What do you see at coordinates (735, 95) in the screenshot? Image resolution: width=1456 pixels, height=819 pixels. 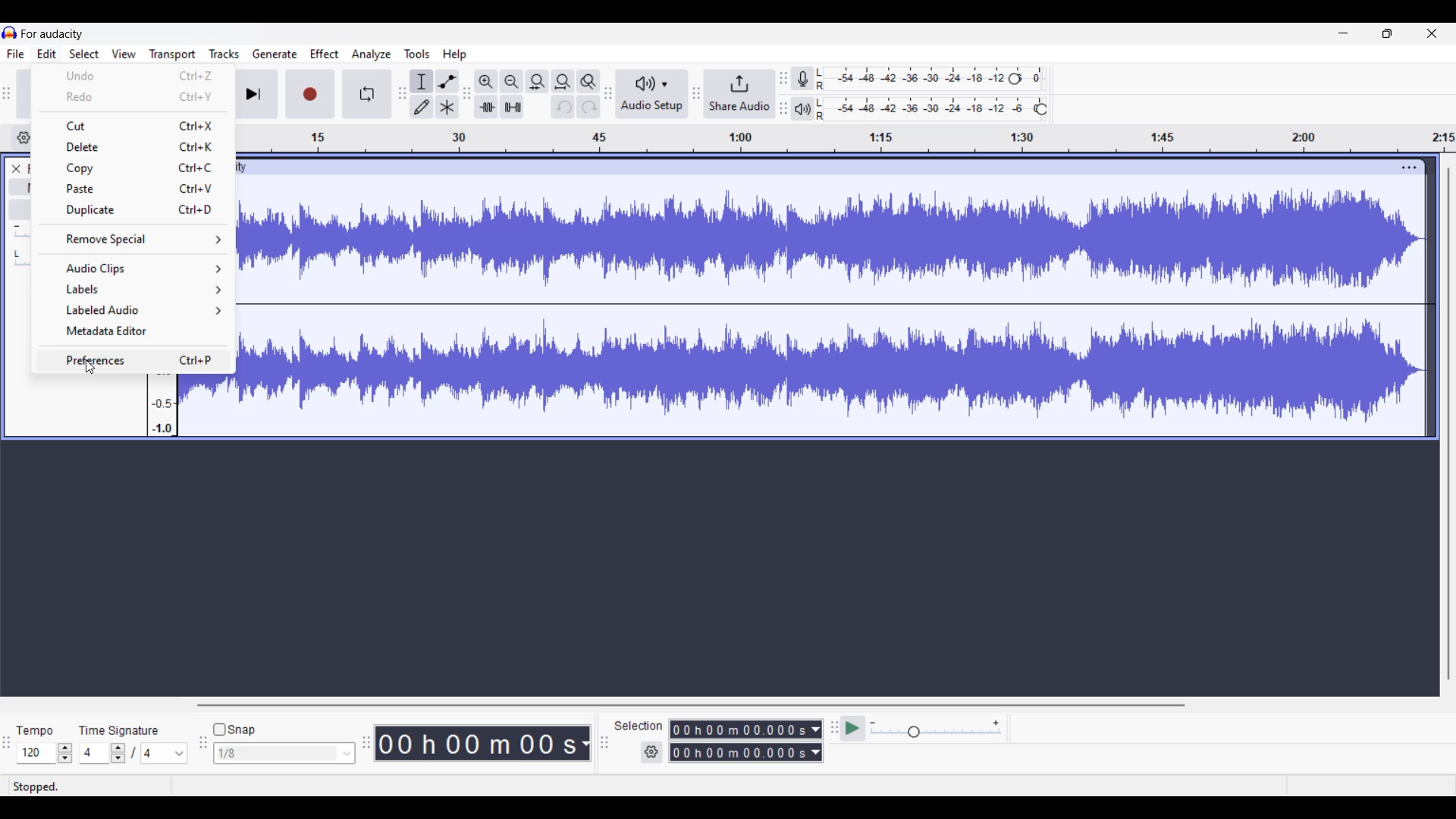 I see `Share audio` at bounding box center [735, 95].